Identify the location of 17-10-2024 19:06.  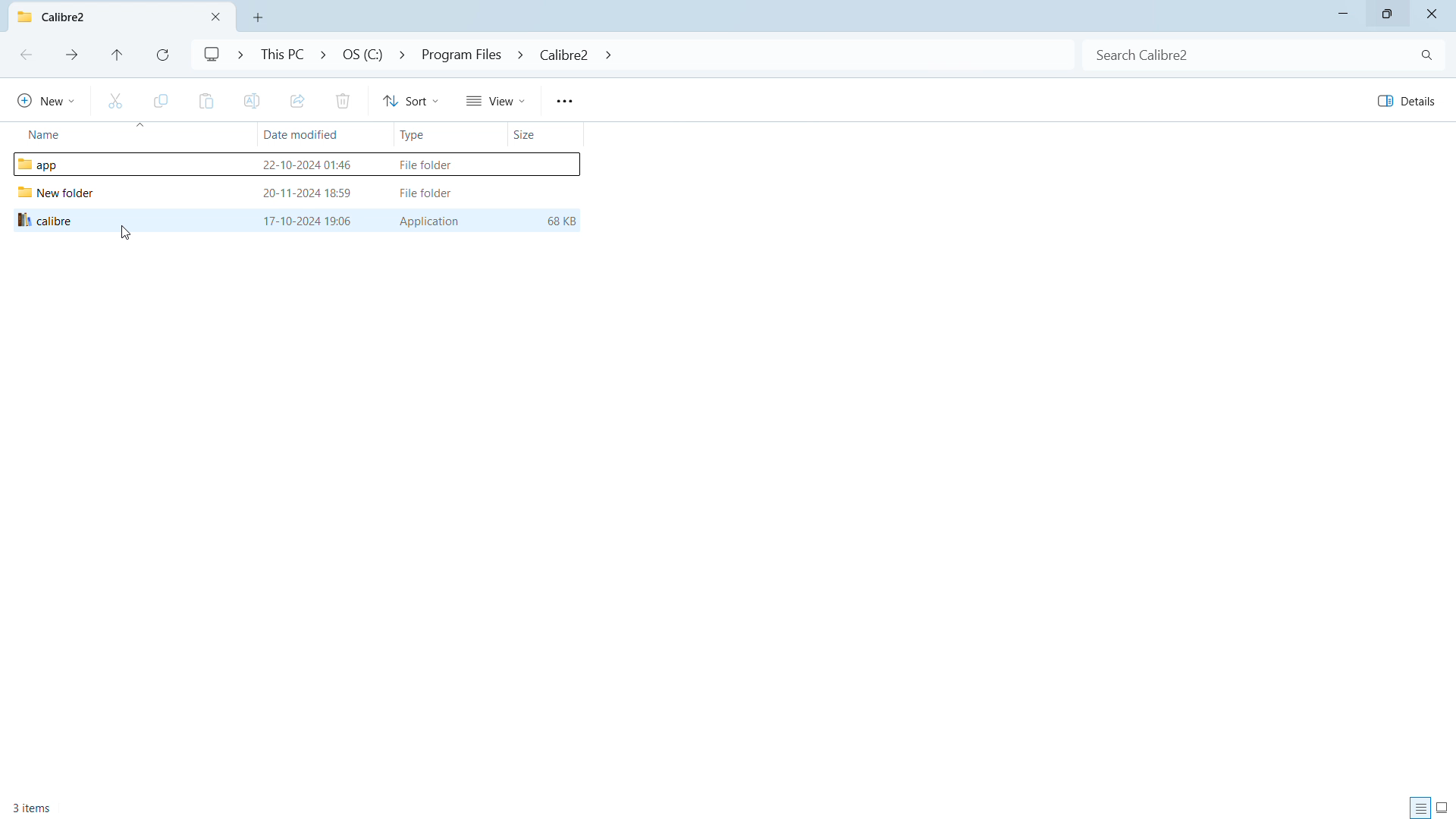
(309, 221).